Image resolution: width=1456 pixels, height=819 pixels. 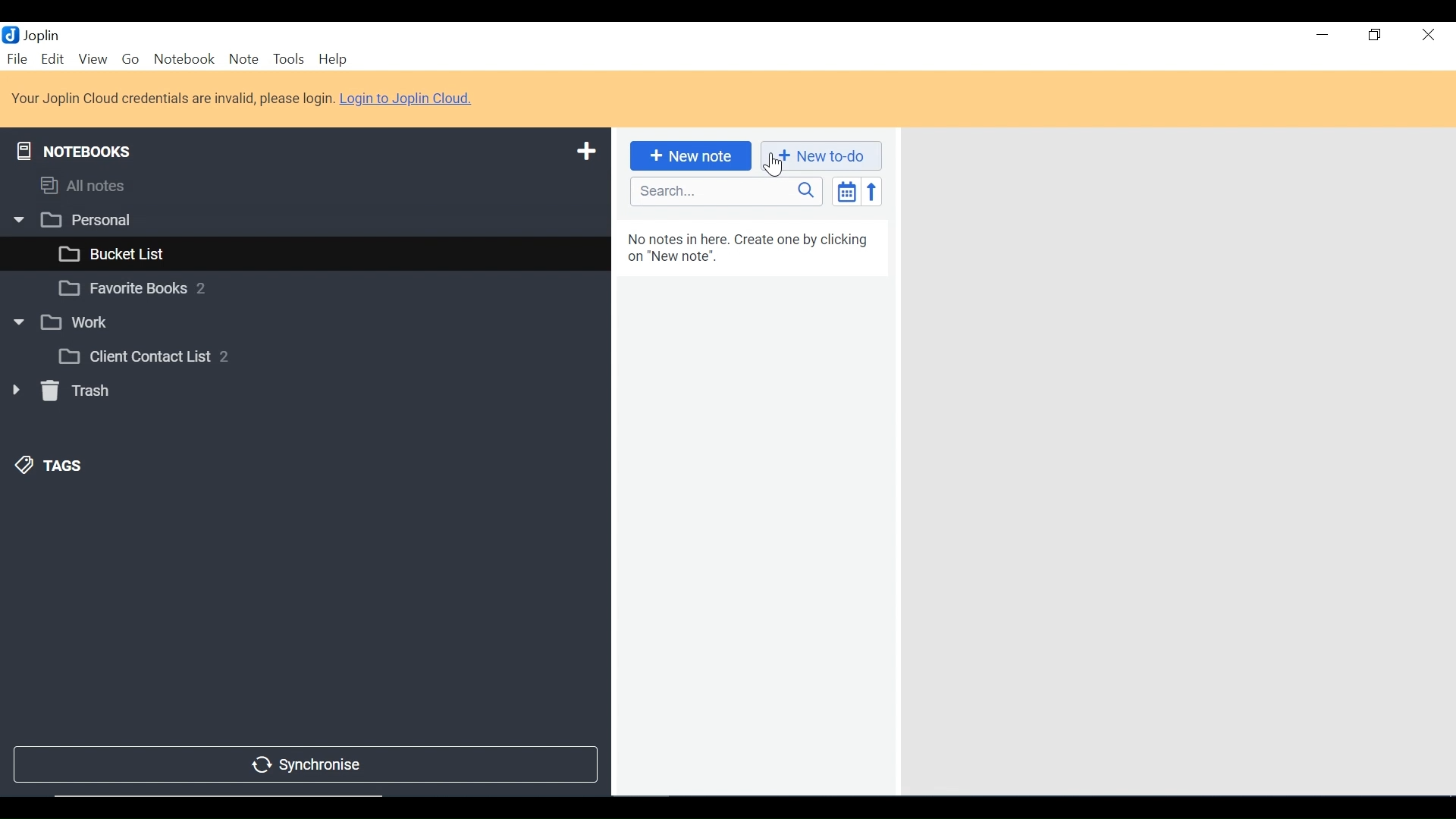 I want to click on Notebook, so click(x=306, y=322).